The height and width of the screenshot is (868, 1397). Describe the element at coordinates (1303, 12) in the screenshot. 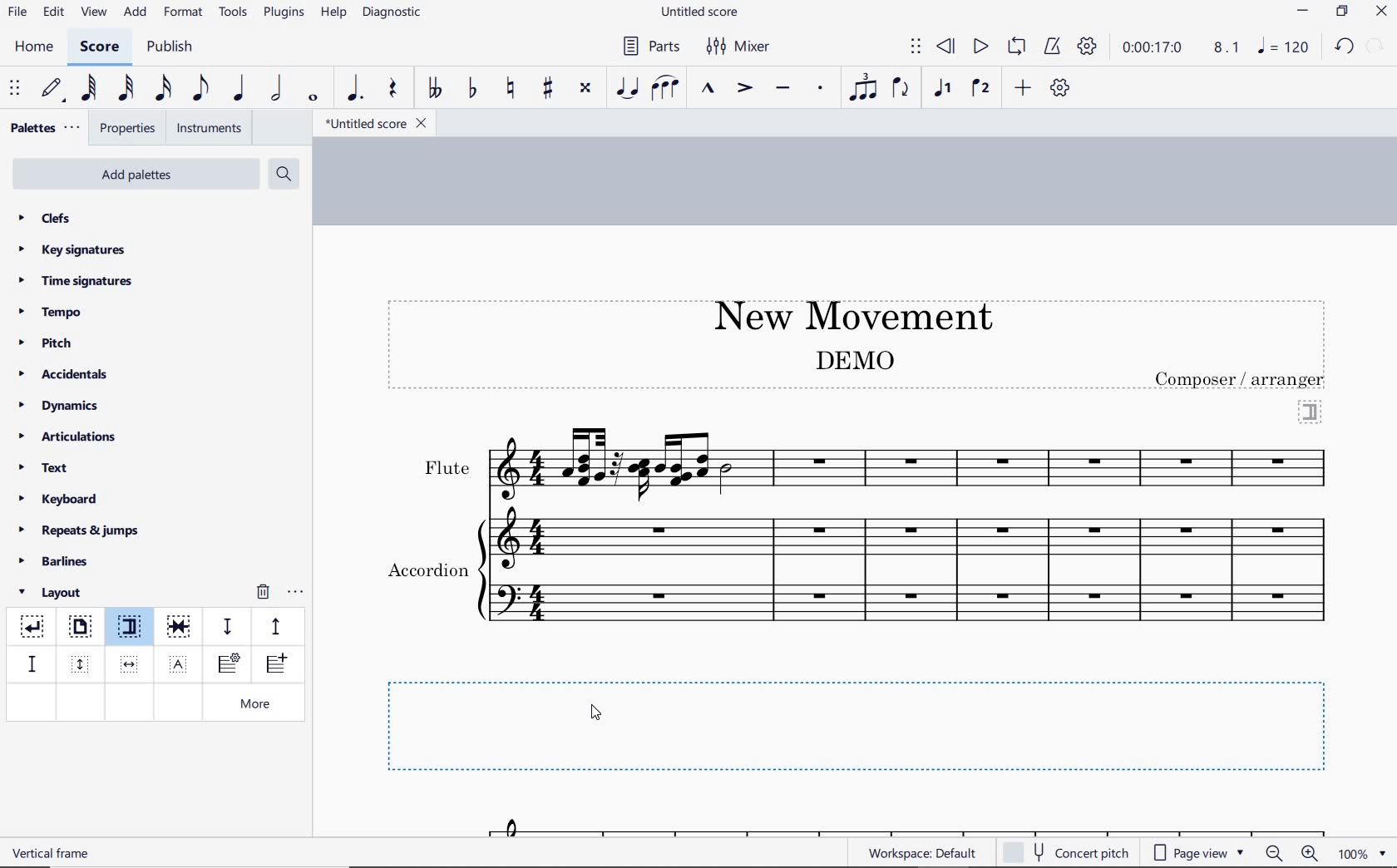

I see `minimize` at that location.